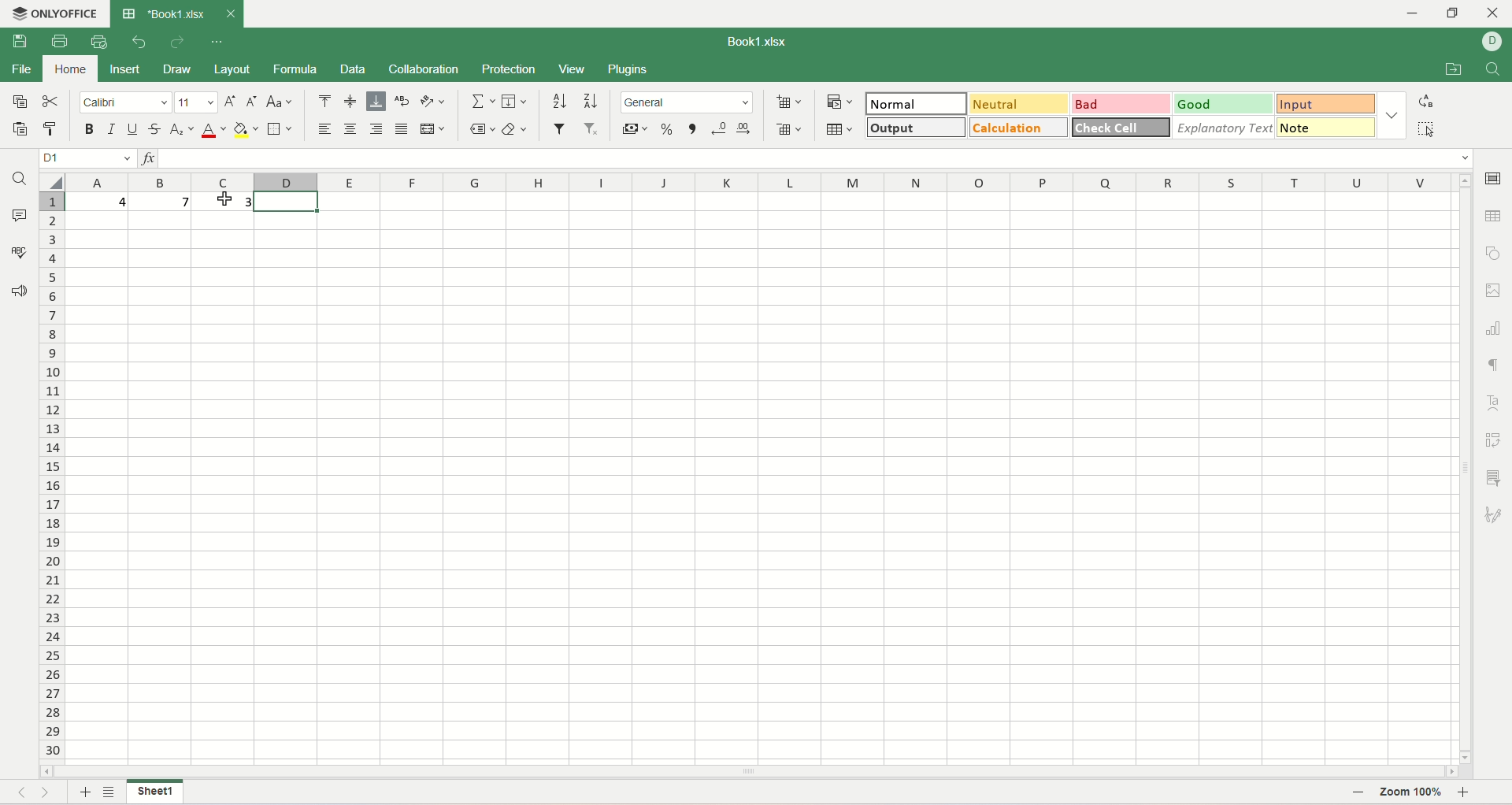 The image size is (1512, 805). What do you see at coordinates (432, 102) in the screenshot?
I see `orientation` at bounding box center [432, 102].